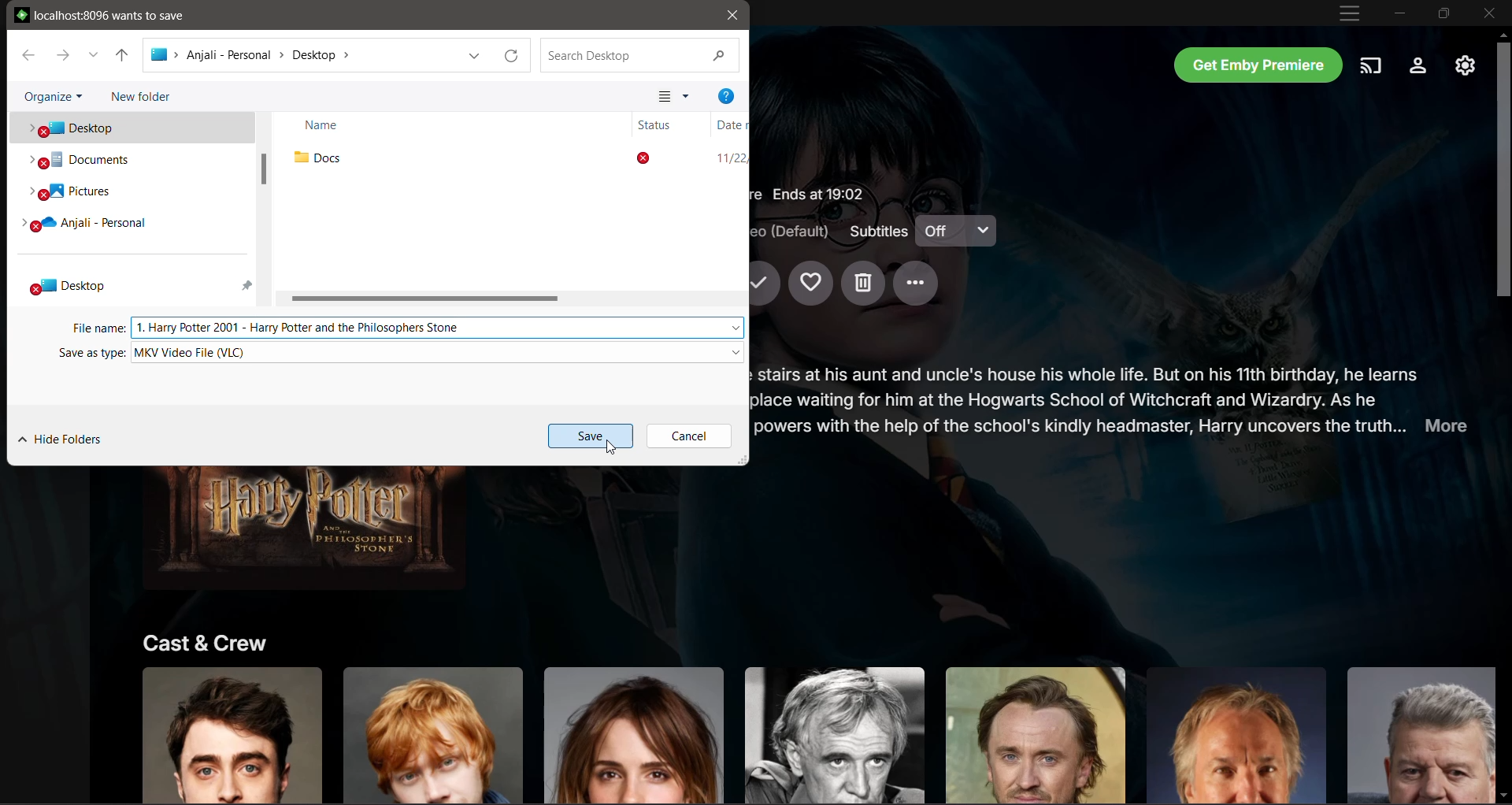  I want to click on Click to know more about actor, so click(634, 734).